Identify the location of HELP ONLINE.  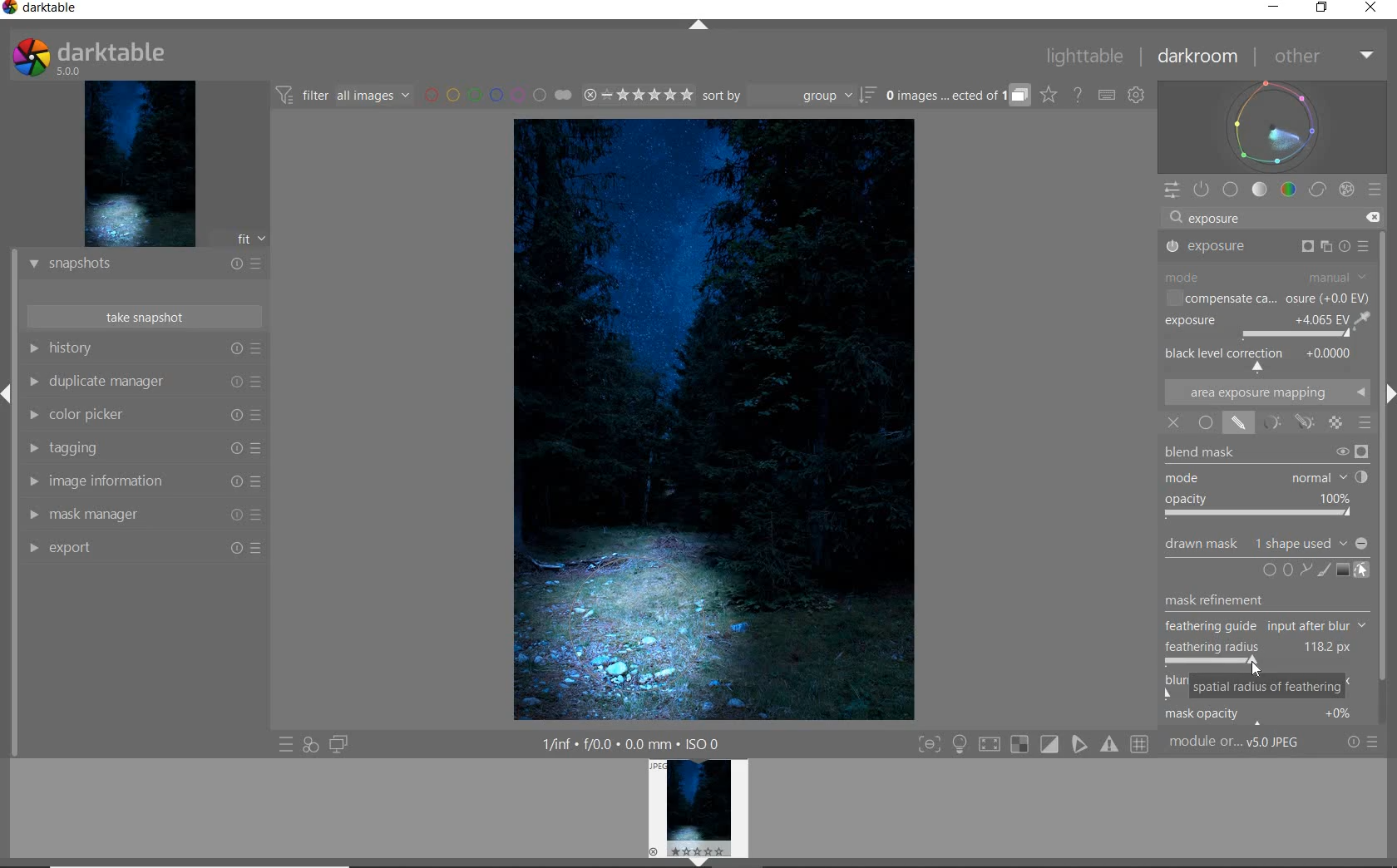
(1078, 96).